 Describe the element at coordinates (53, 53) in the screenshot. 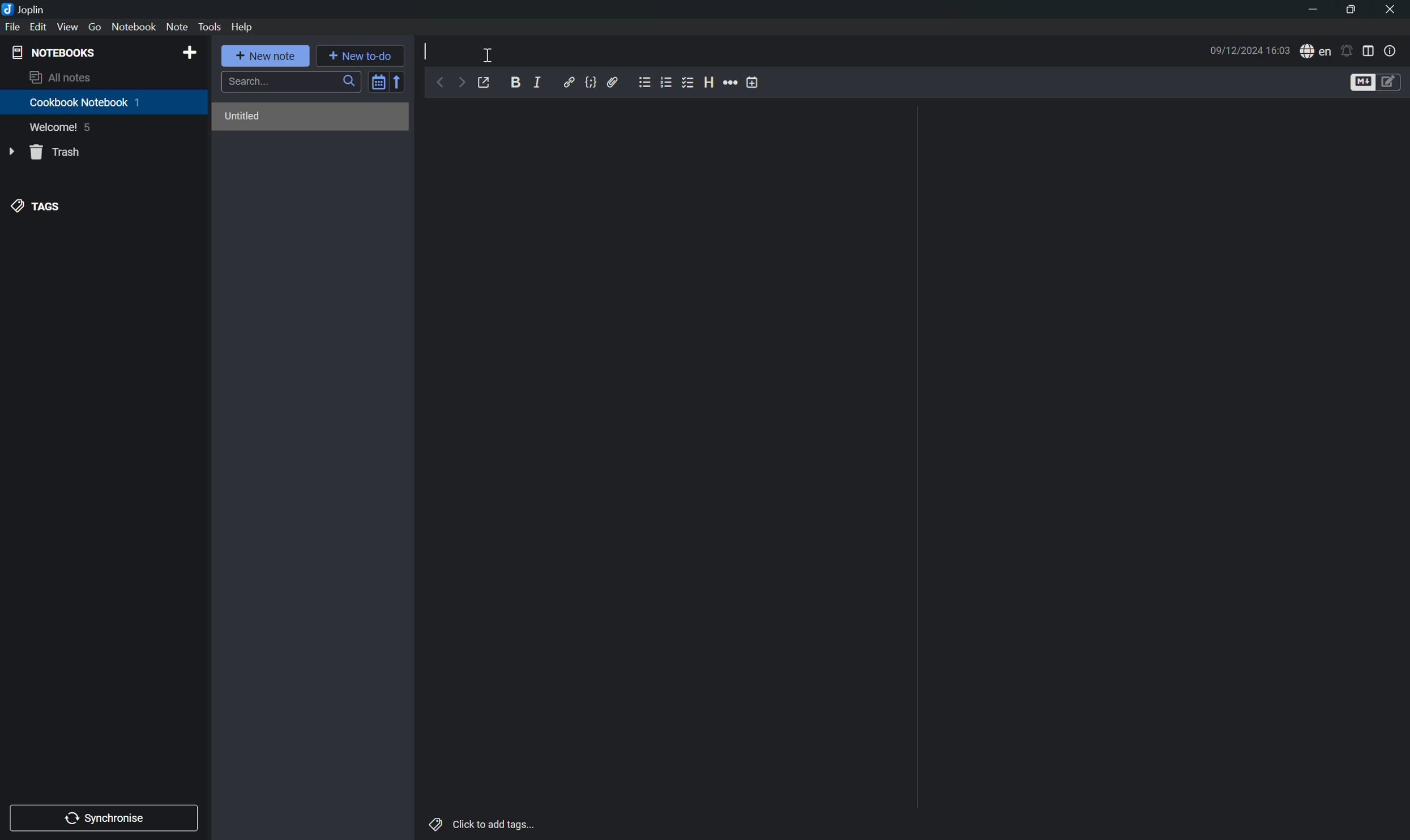

I see `NOTEBOOKS` at that location.